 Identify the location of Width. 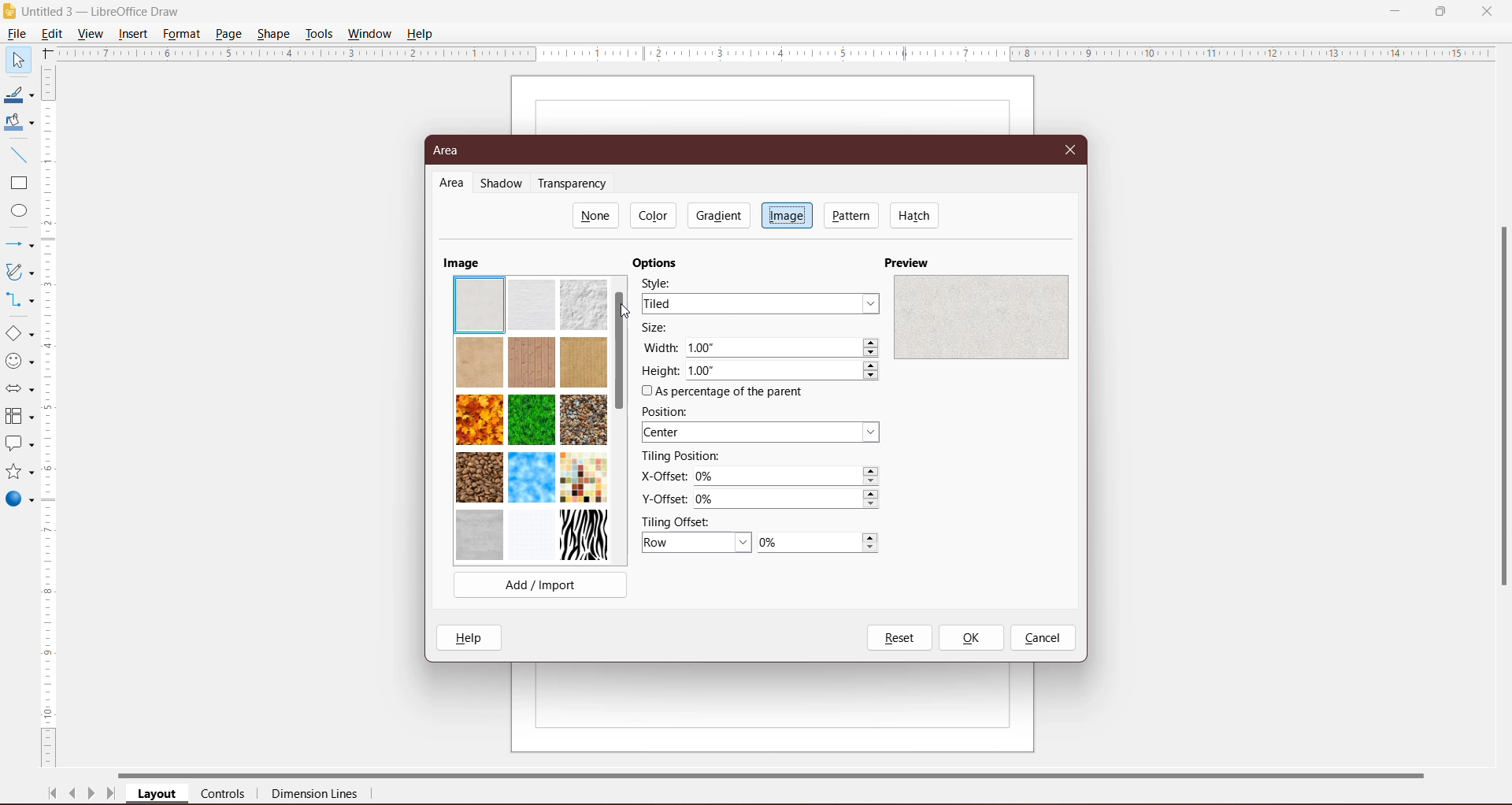
(660, 347).